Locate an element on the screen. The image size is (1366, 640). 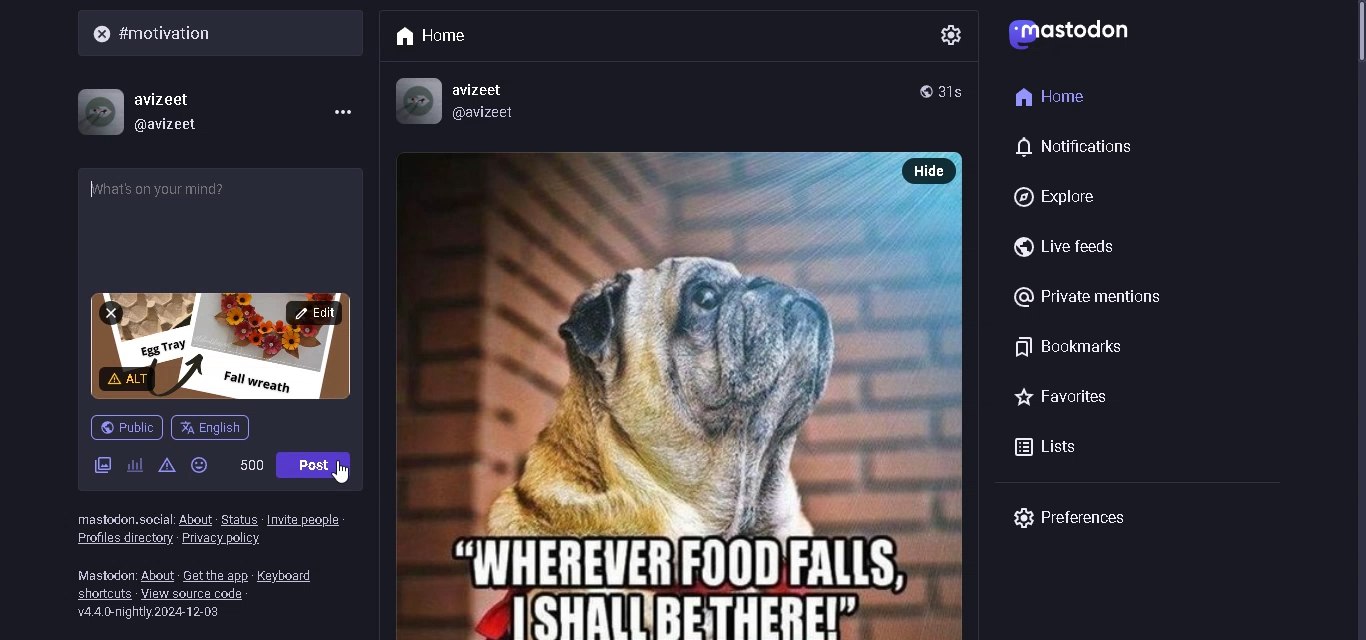
notifications is located at coordinates (1076, 148).